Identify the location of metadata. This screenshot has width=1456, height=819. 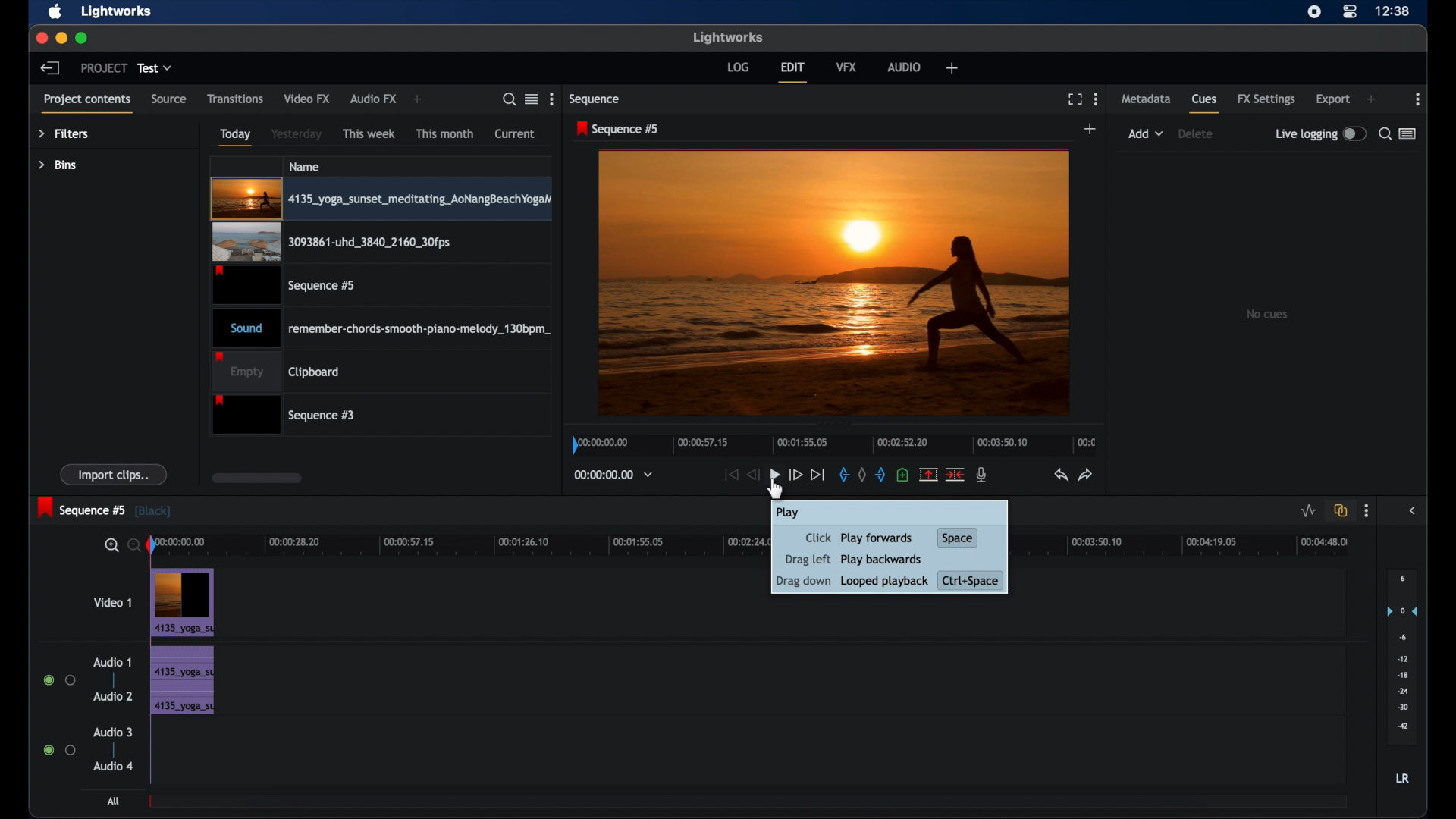
(1147, 99).